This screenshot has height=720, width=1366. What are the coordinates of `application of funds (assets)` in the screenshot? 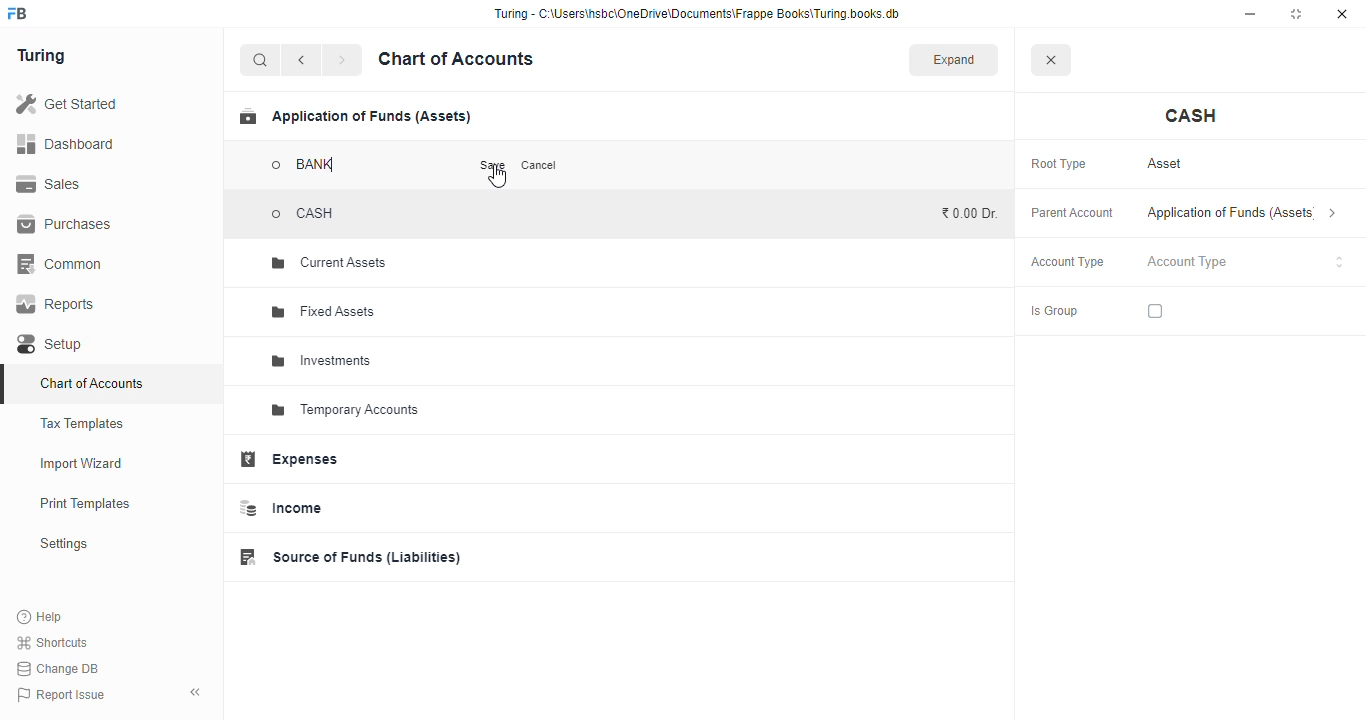 It's located at (355, 116).